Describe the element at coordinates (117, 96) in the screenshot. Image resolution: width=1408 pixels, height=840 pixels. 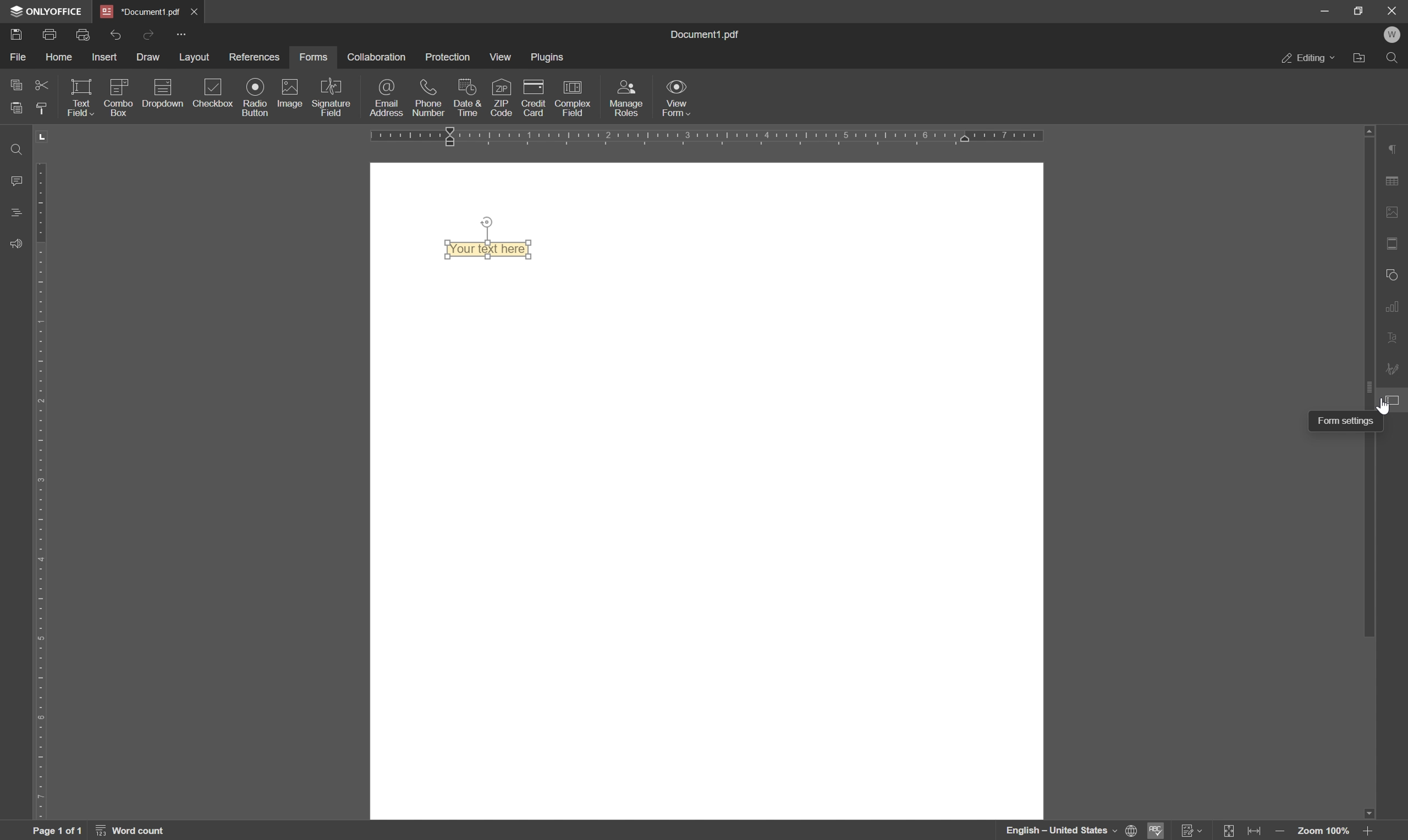
I see `icon` at that location.